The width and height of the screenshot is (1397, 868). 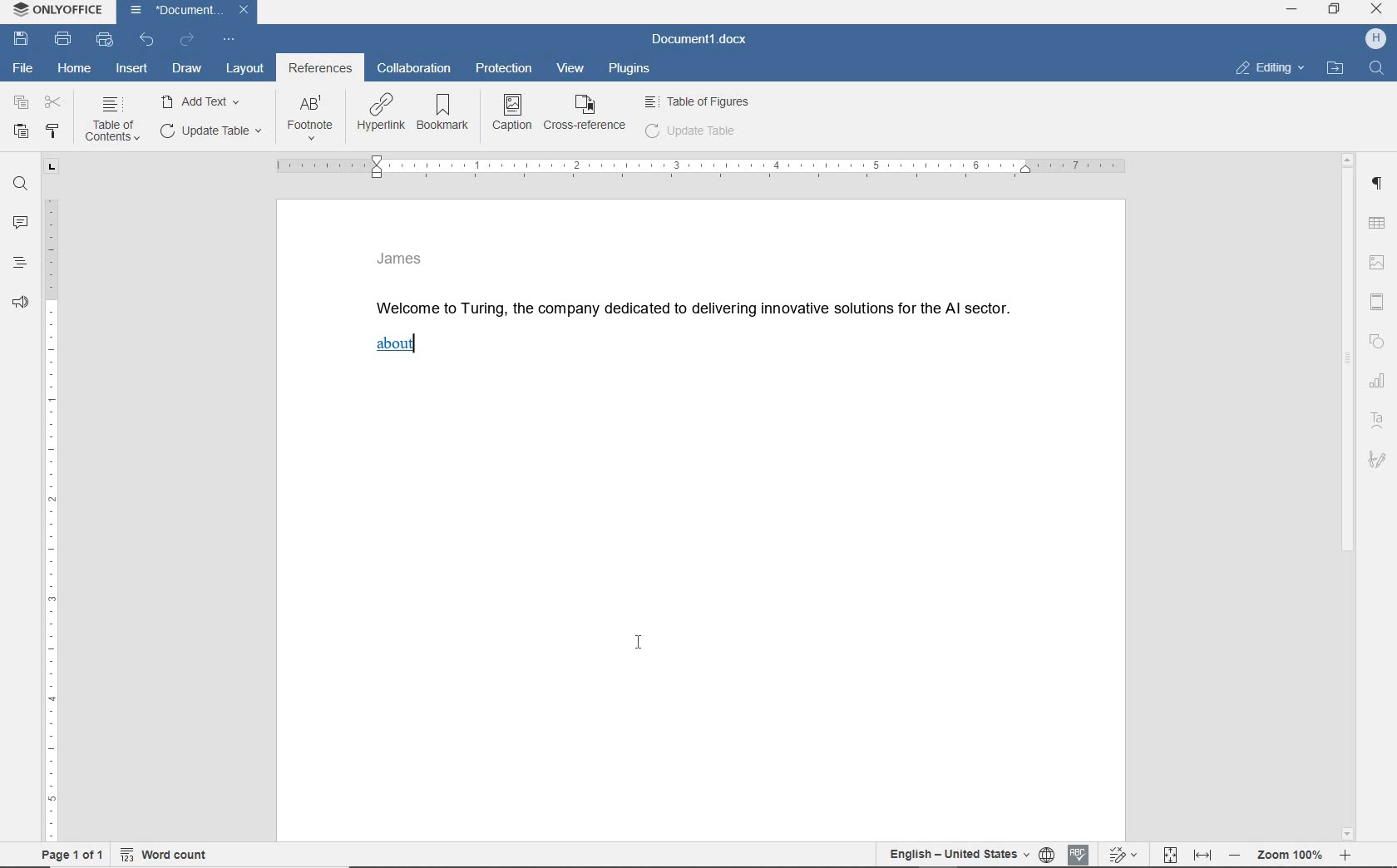 I want to click on customize quick access bar, so click(x=227, y=40).